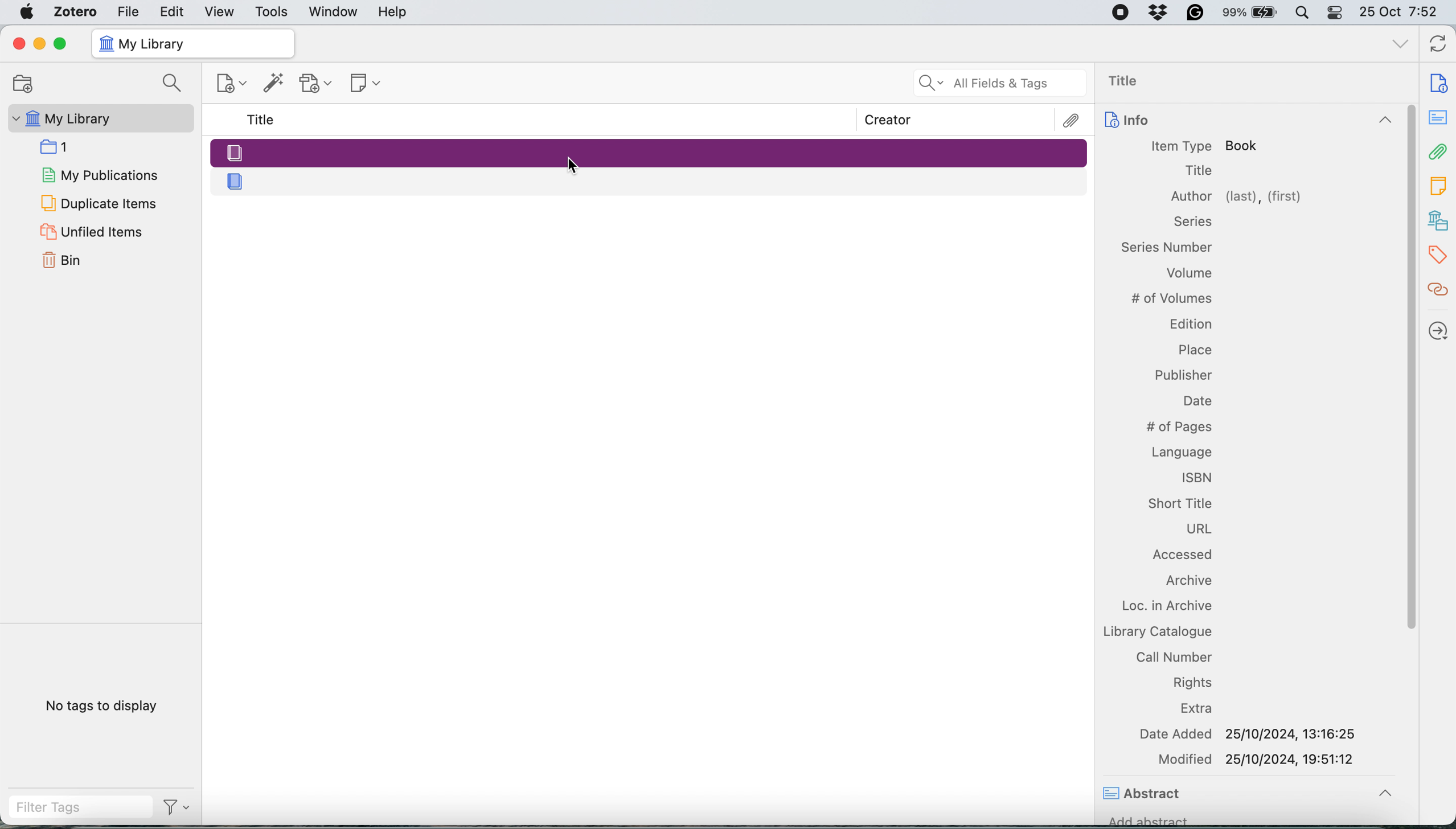  What do you see at coordinates (29, 12) in the screenshot?
I see `Apple Menu` at bounding box center [29, 12].